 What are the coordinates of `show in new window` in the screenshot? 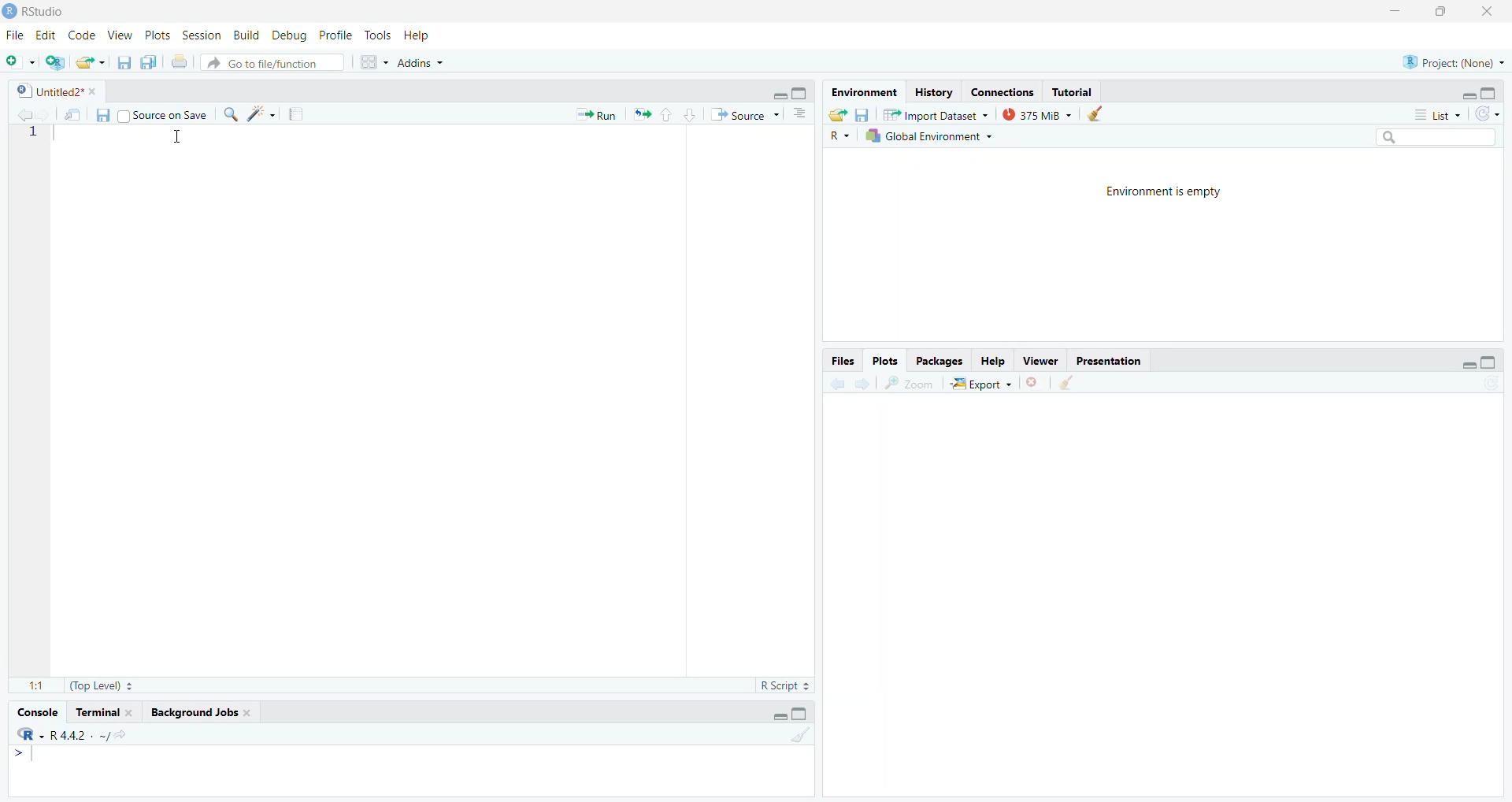 It's located at (74, 115).